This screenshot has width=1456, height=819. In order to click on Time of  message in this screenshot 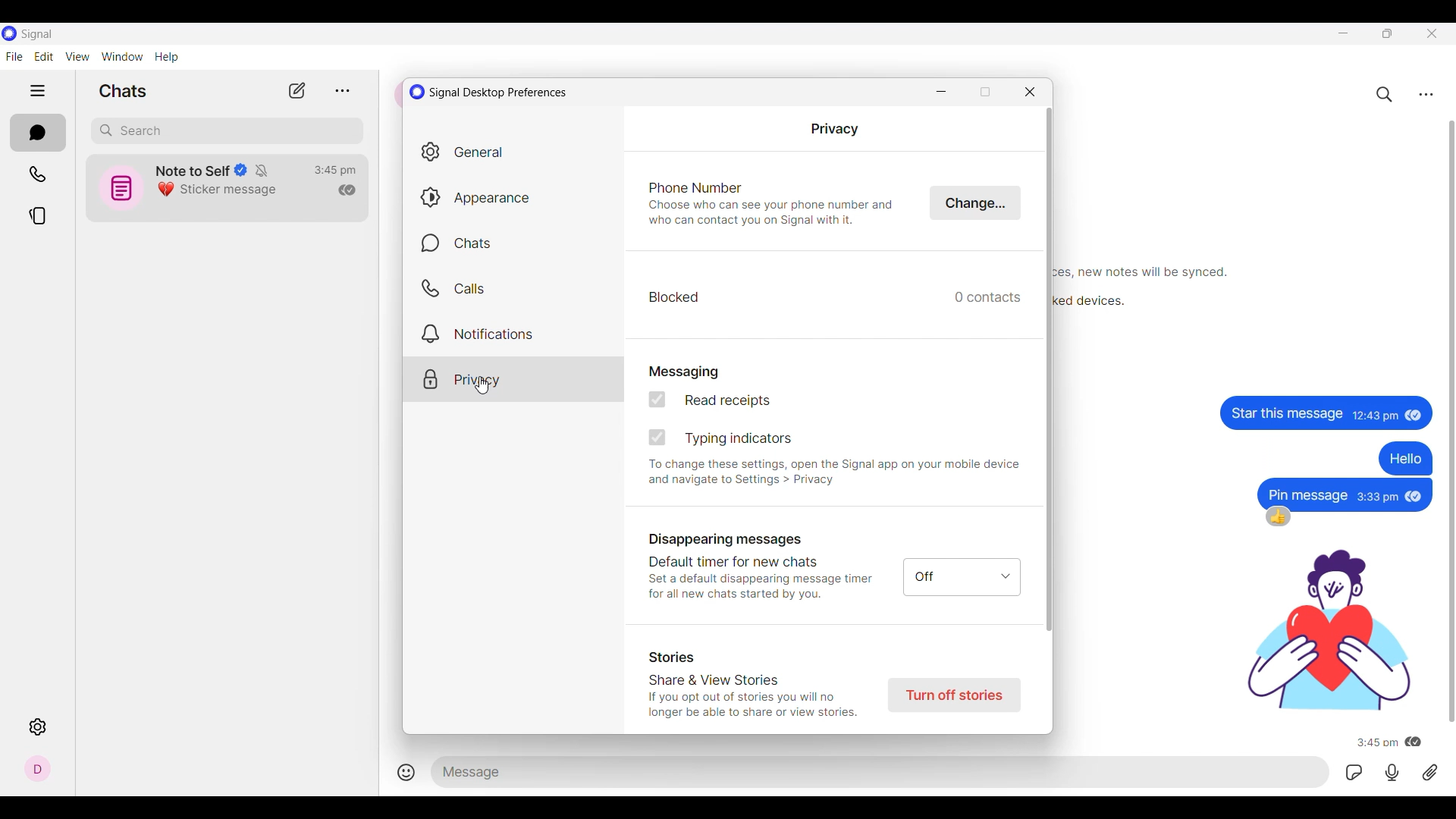, I will do `click(1379, 496)`.